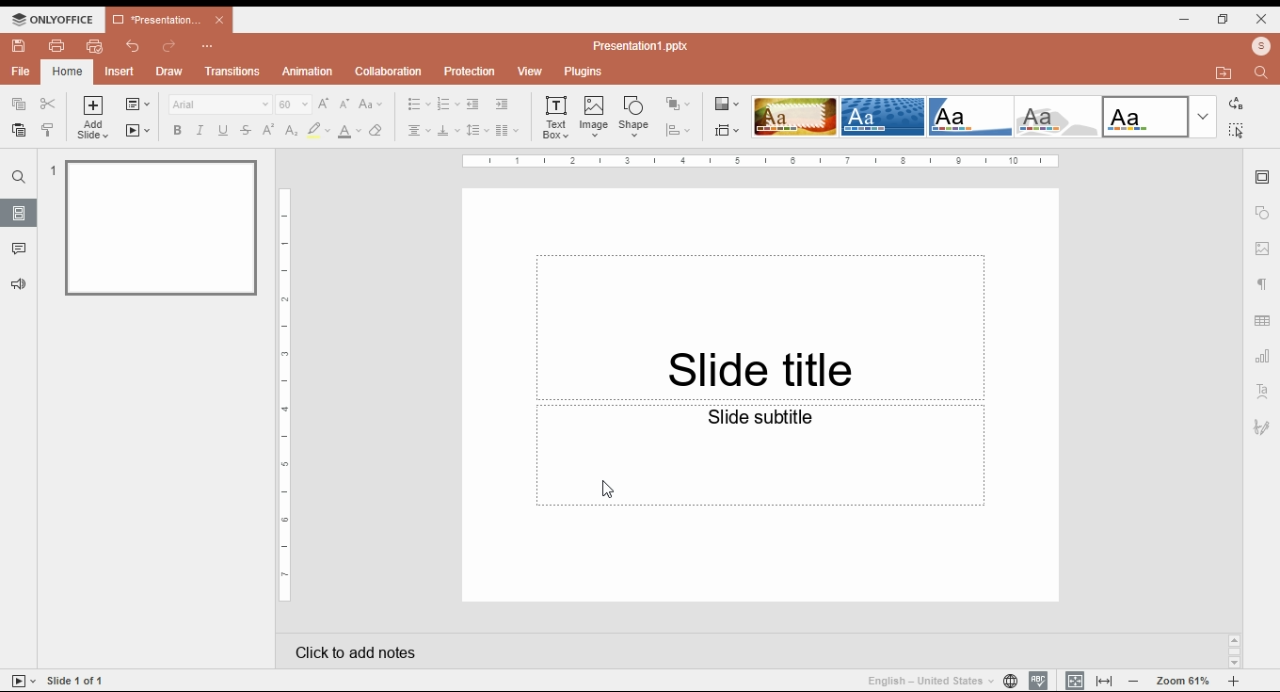 The image size is (1280, 692). What do you see at coordinates (371, 104) in the screenshot?
I see `change case` at bounding box center [371, 104].